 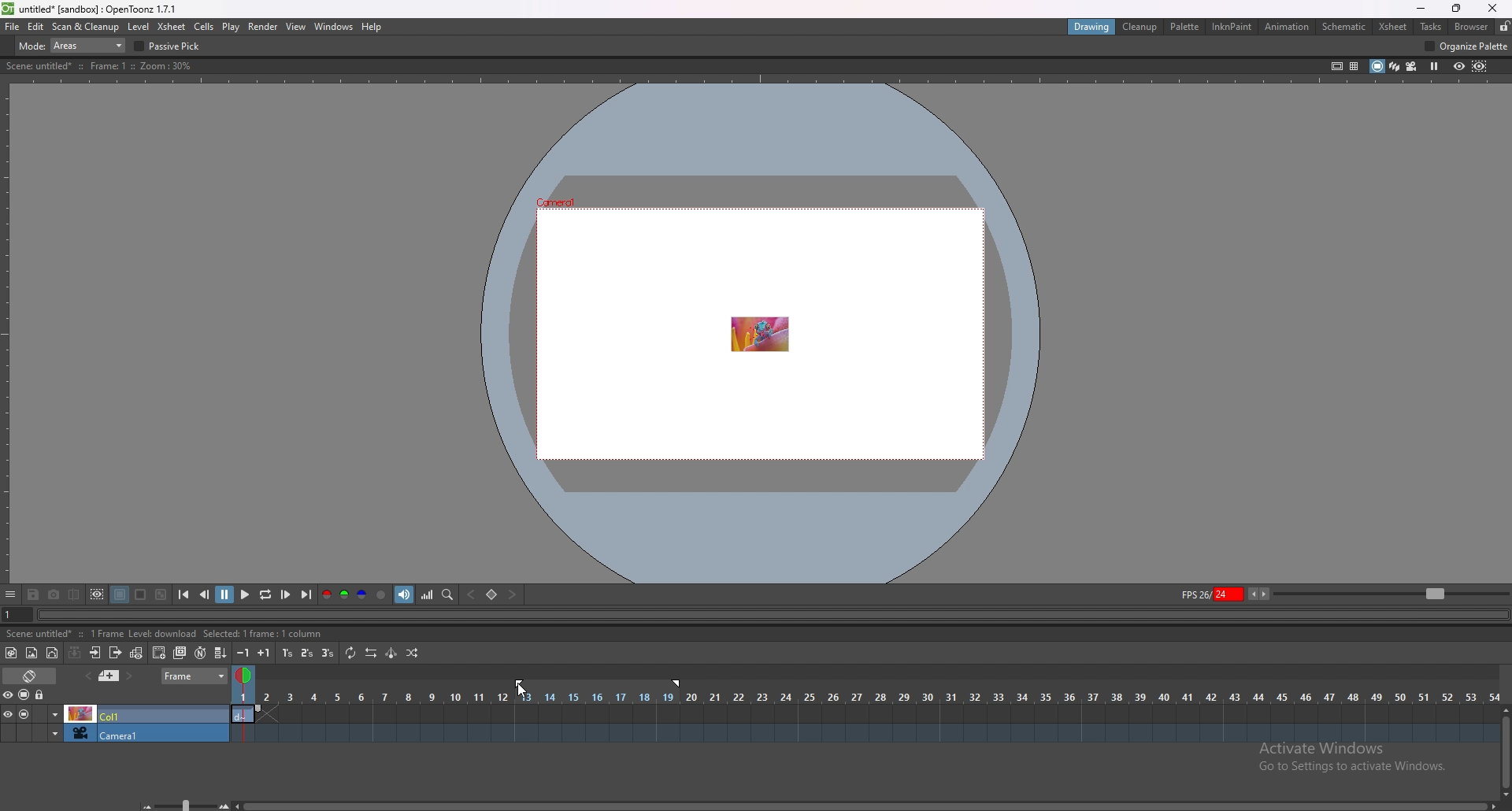 What do you see at coordinates (1456, 9) in the screenshot?
I see `resize` at bounding box center [1456, 9].